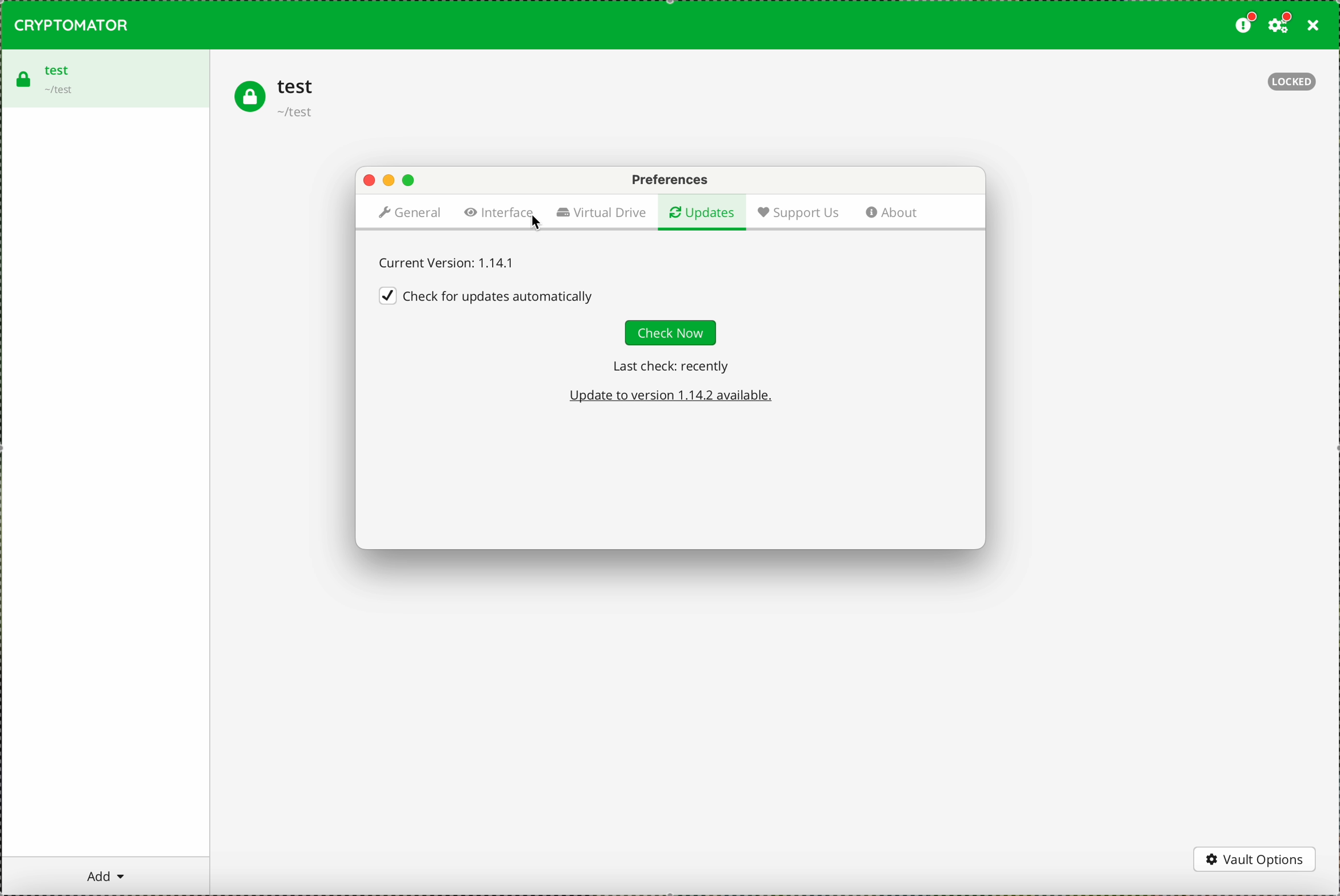 The height and width of the screenshot is (896, 1340). Describe the element at coordinates (389, 182) in the screenshot. I see `minimize` at that location.